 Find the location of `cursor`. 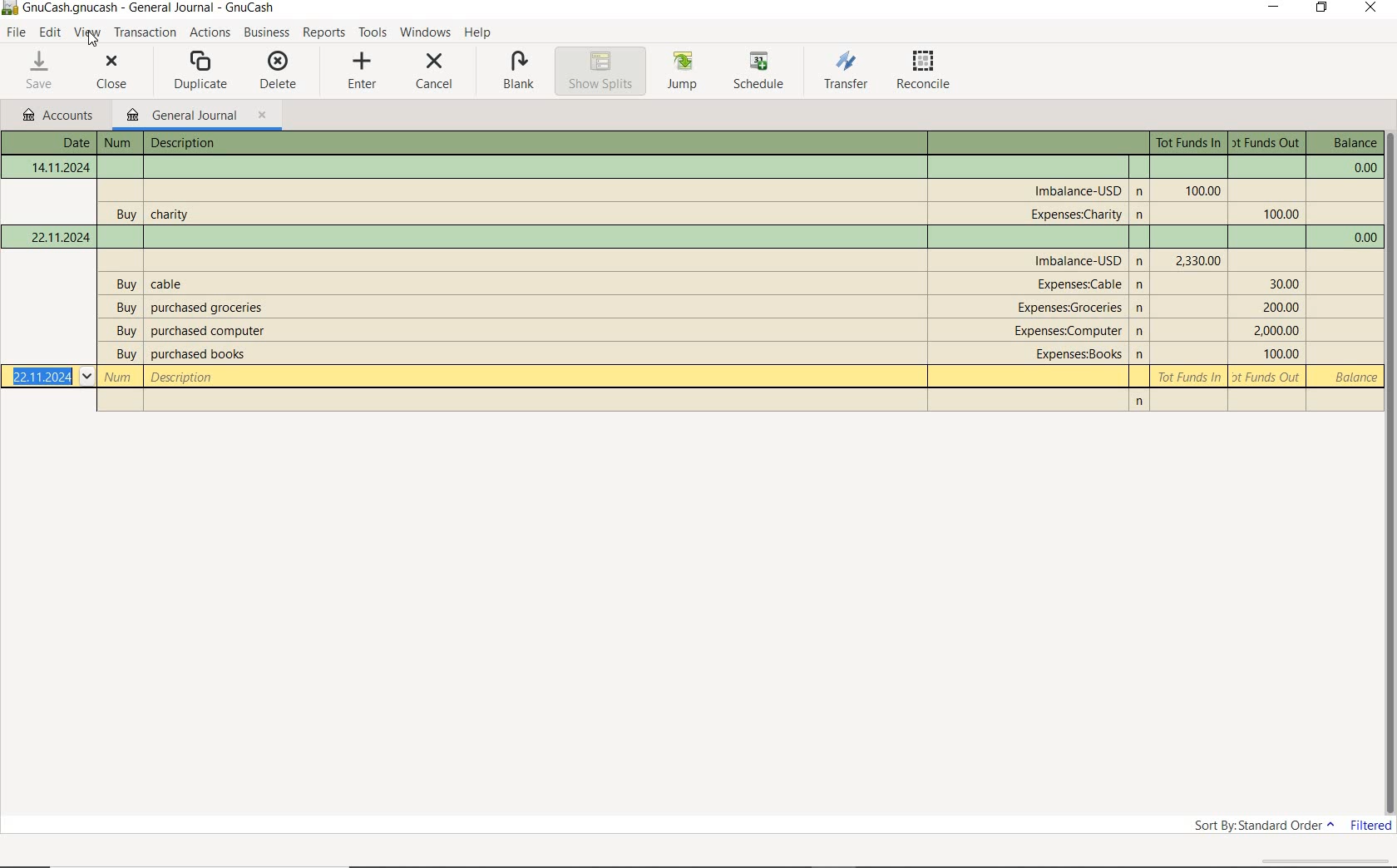

cursor is located at coordinates (95, 39).